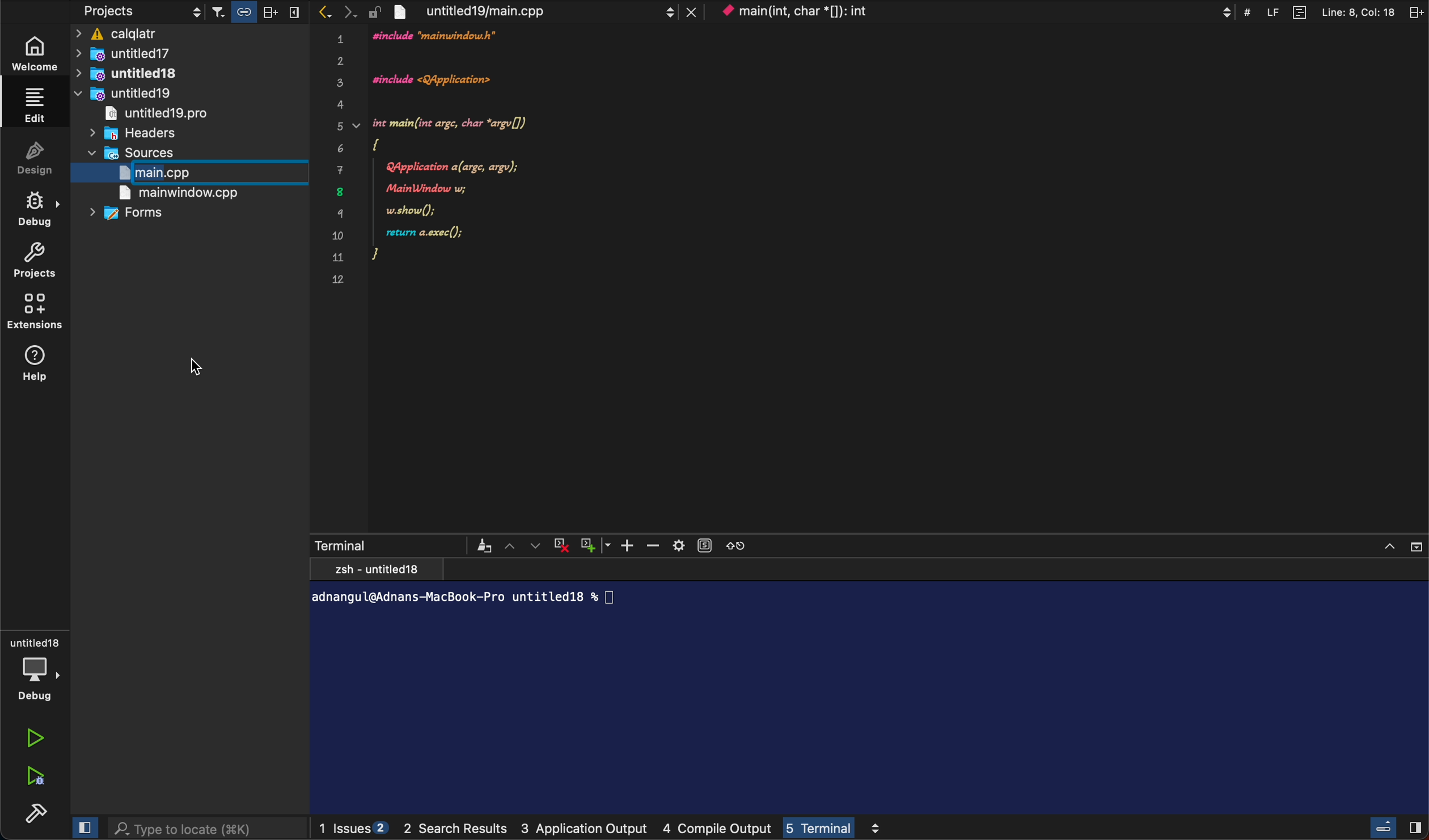 Image resolution: width=1429 pixels, height=840 pixels. Describe the element at coordinates (543, 11) in the screenshot. I see `file tab` at that location.